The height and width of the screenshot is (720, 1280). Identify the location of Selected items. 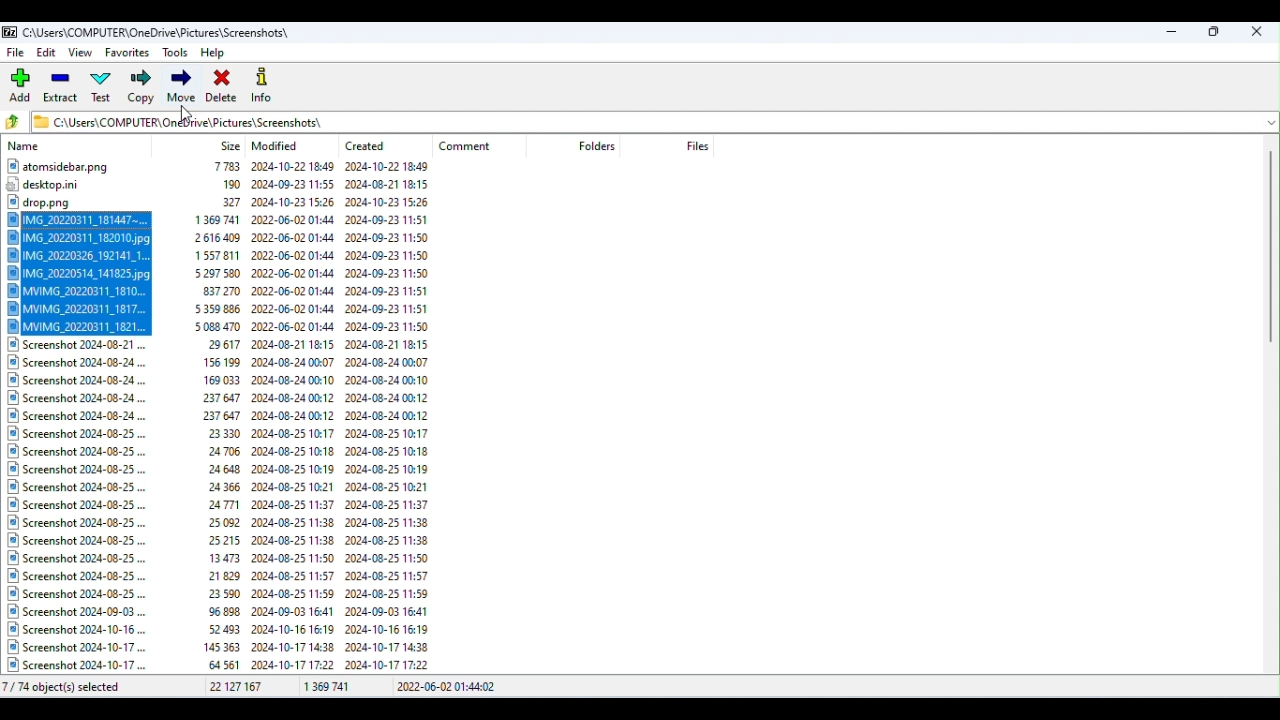
(230, 273).